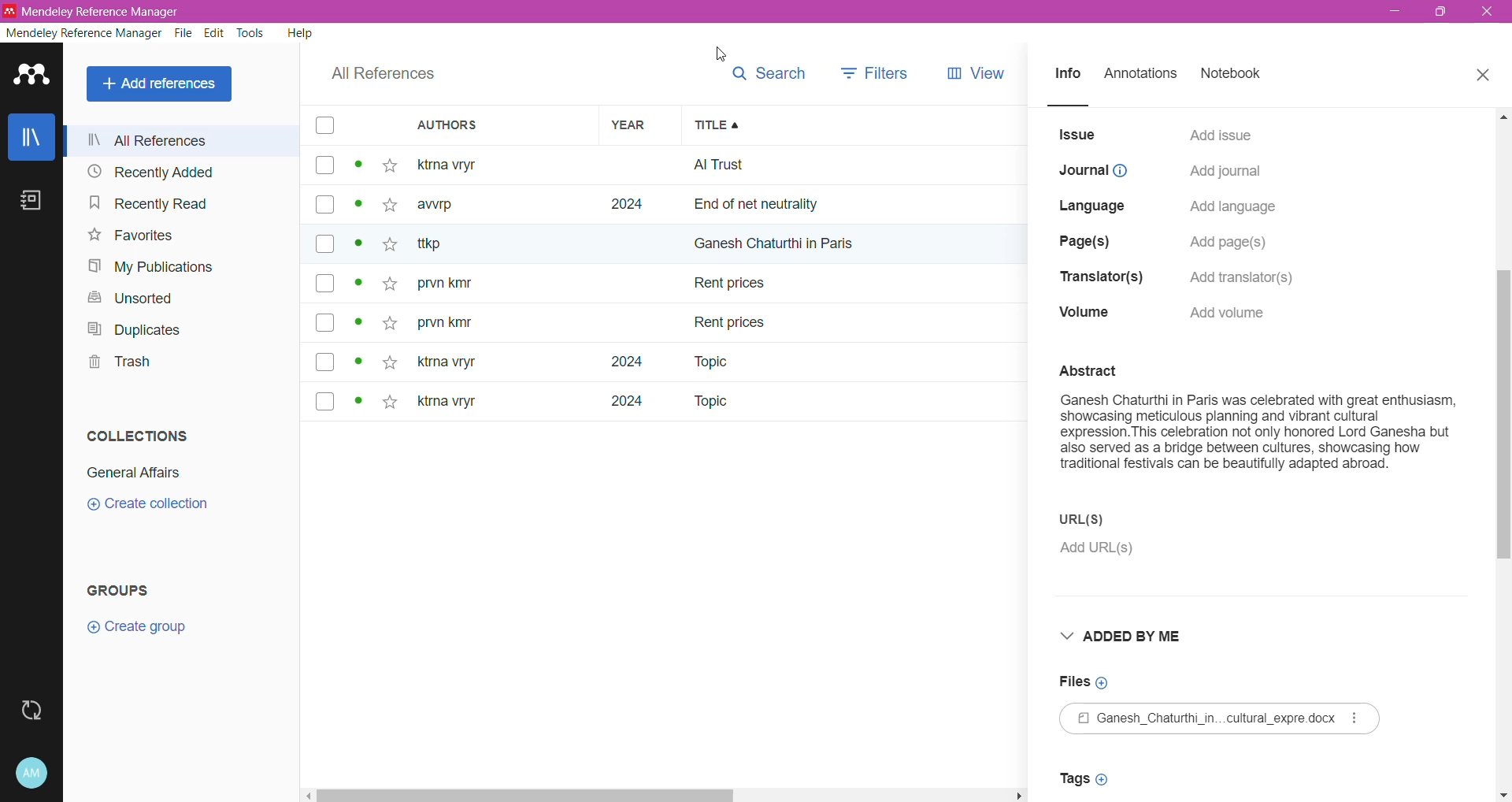 The height and width of the screenshot is (802, 1512). Describe the element at coordinates (1084, 314) in the screenshot. I see `Volume` at that location.